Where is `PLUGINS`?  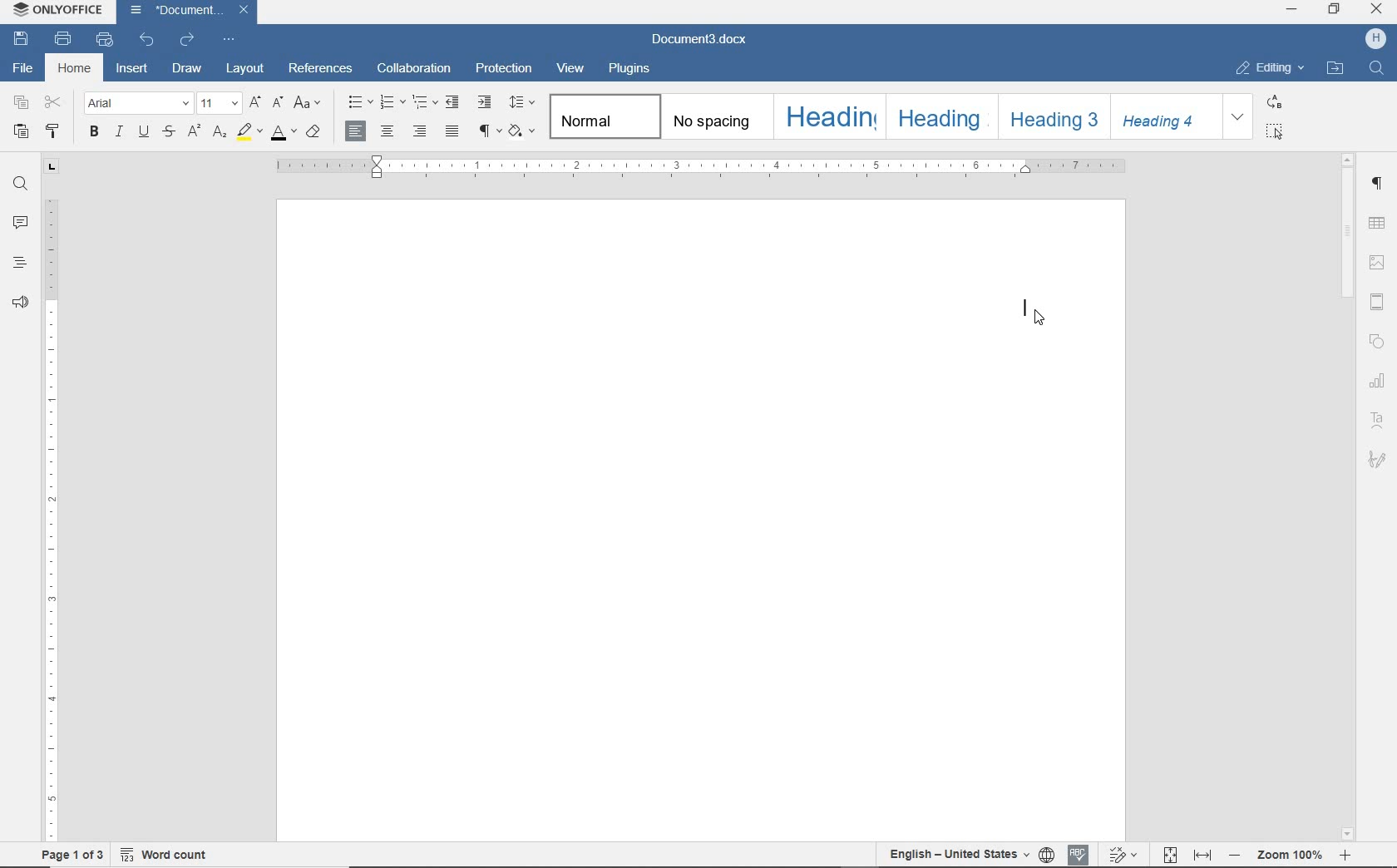
PLUGINS is located at coordinates (630, 69).